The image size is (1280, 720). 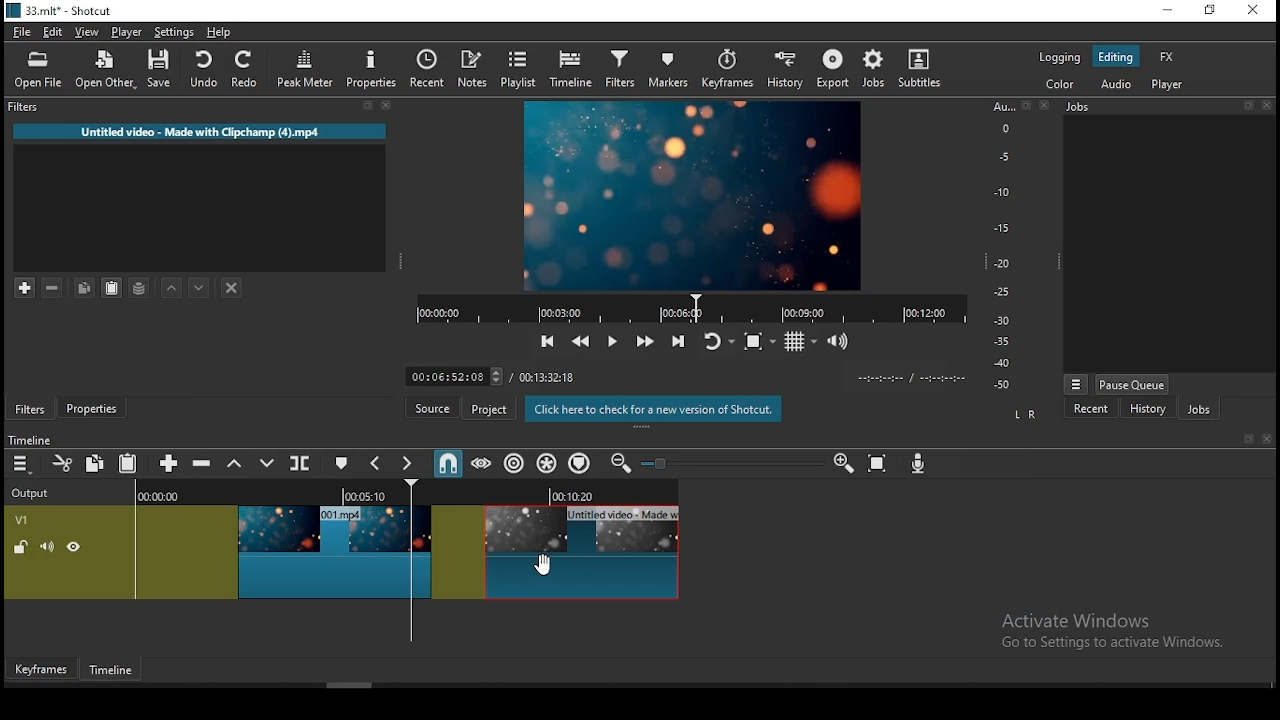 What do you see at coordinates (236, 463) in the screenshot?
I see `lift` at bounding box center [236, 463].